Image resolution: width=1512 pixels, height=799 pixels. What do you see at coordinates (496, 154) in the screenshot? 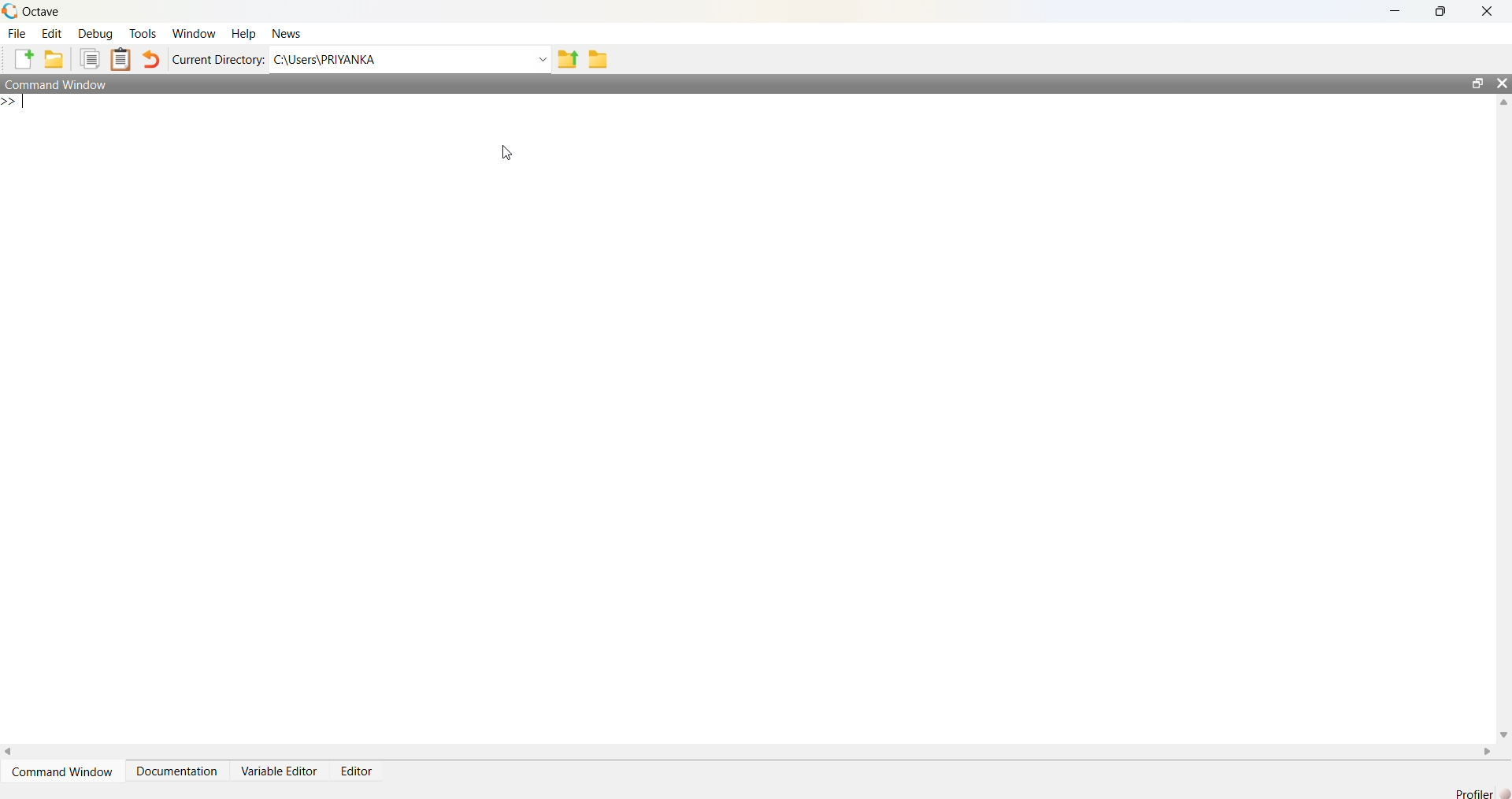
I see `Cursor` at bounding box center [496, 154].